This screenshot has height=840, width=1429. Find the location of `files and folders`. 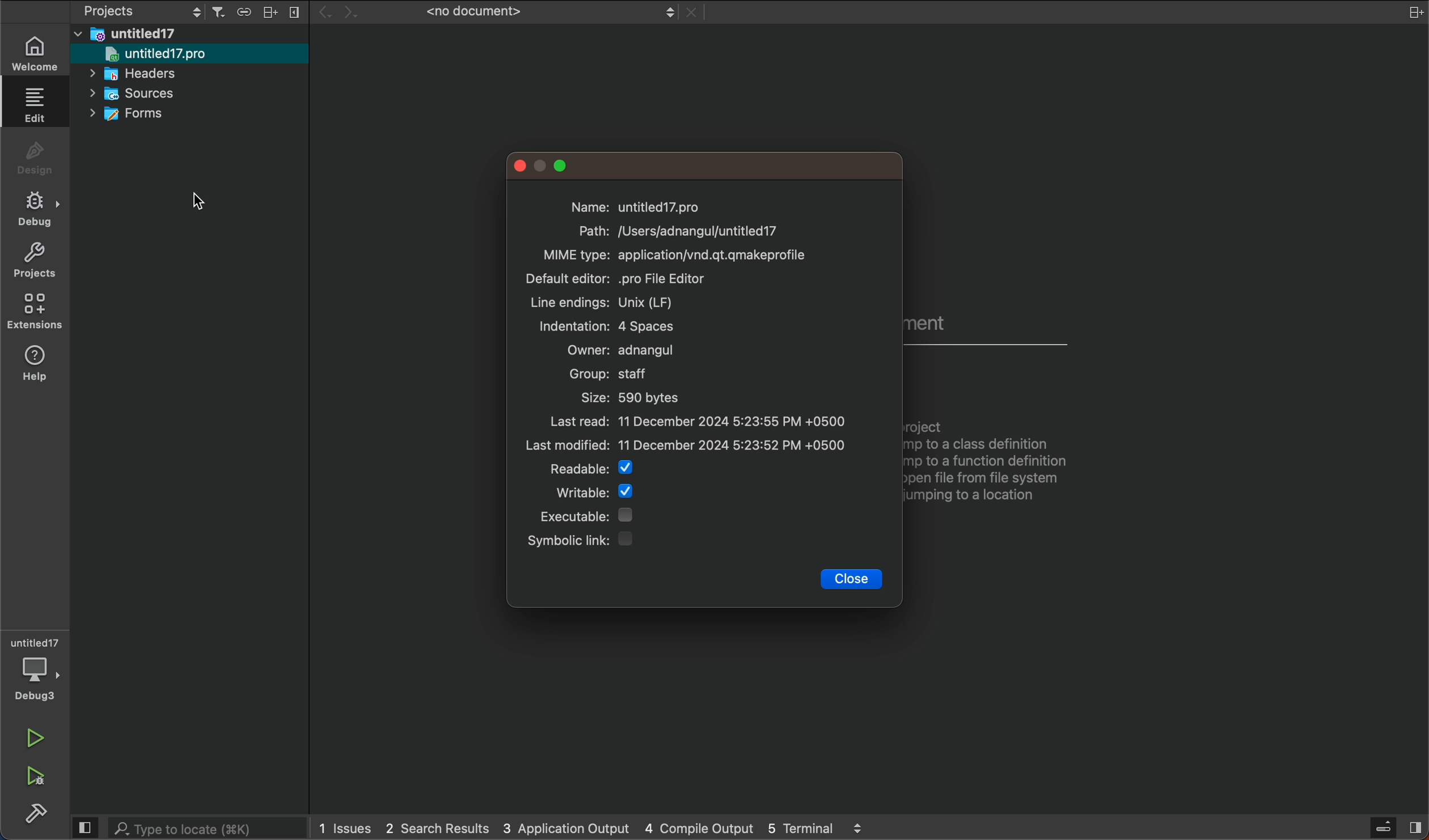

files and folders is located at coordinates (194, 35).